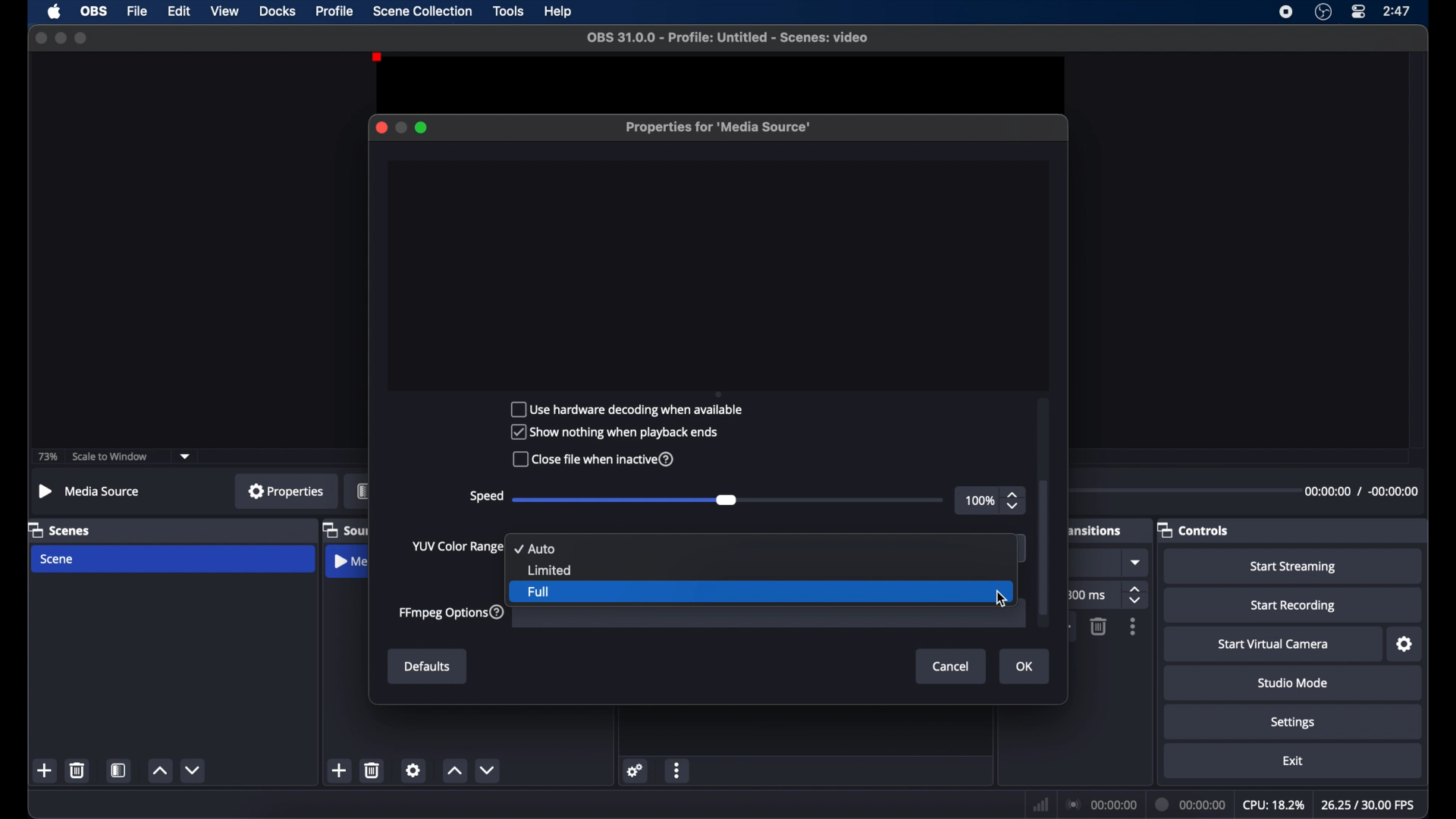  I want to click on properties, so click(287, 491).